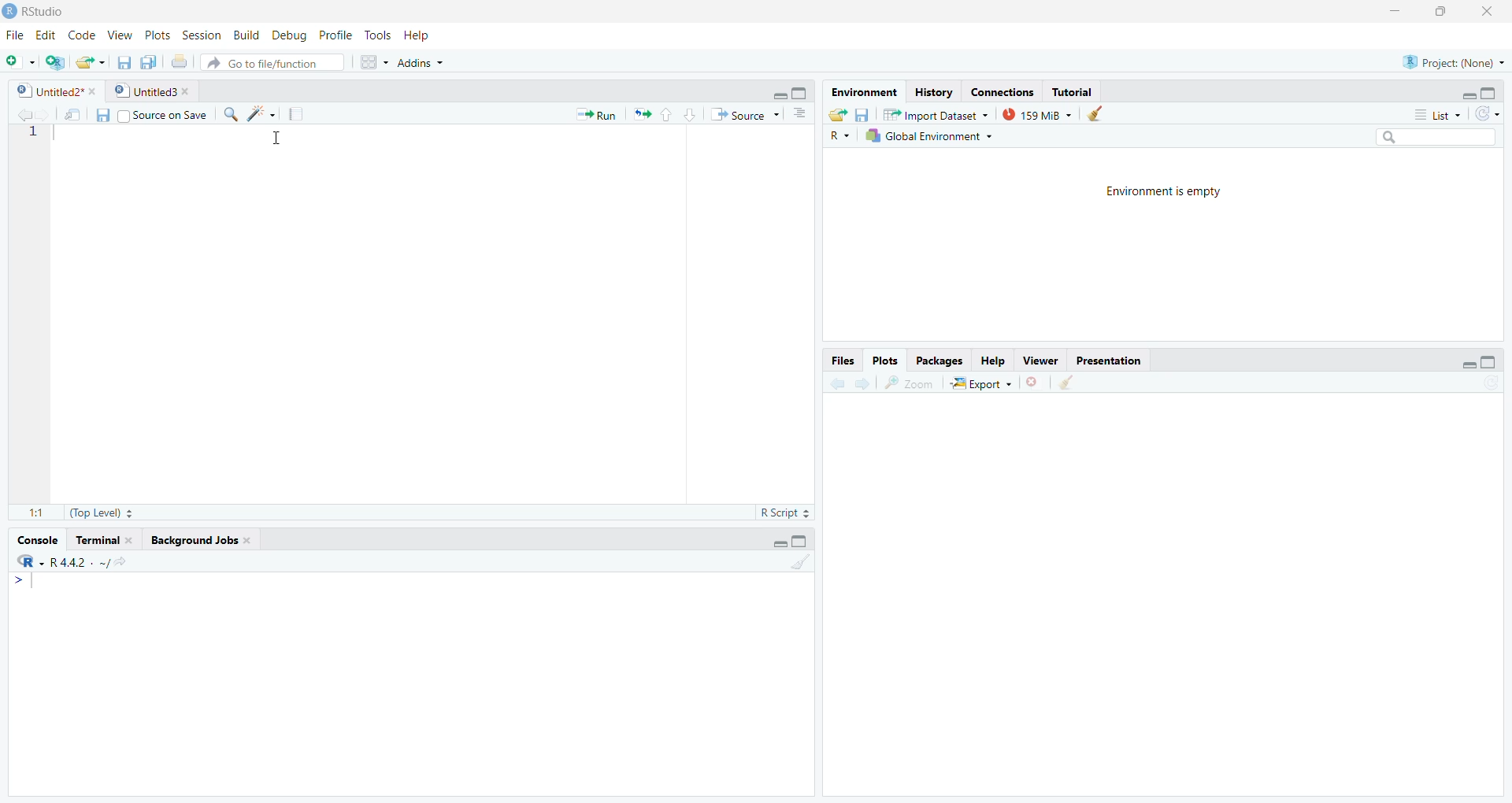 This screenshot has height=803, width=1512. Describe the element at coordinates (1489, 93) in the screenshot. I see `Maximize` at that location.